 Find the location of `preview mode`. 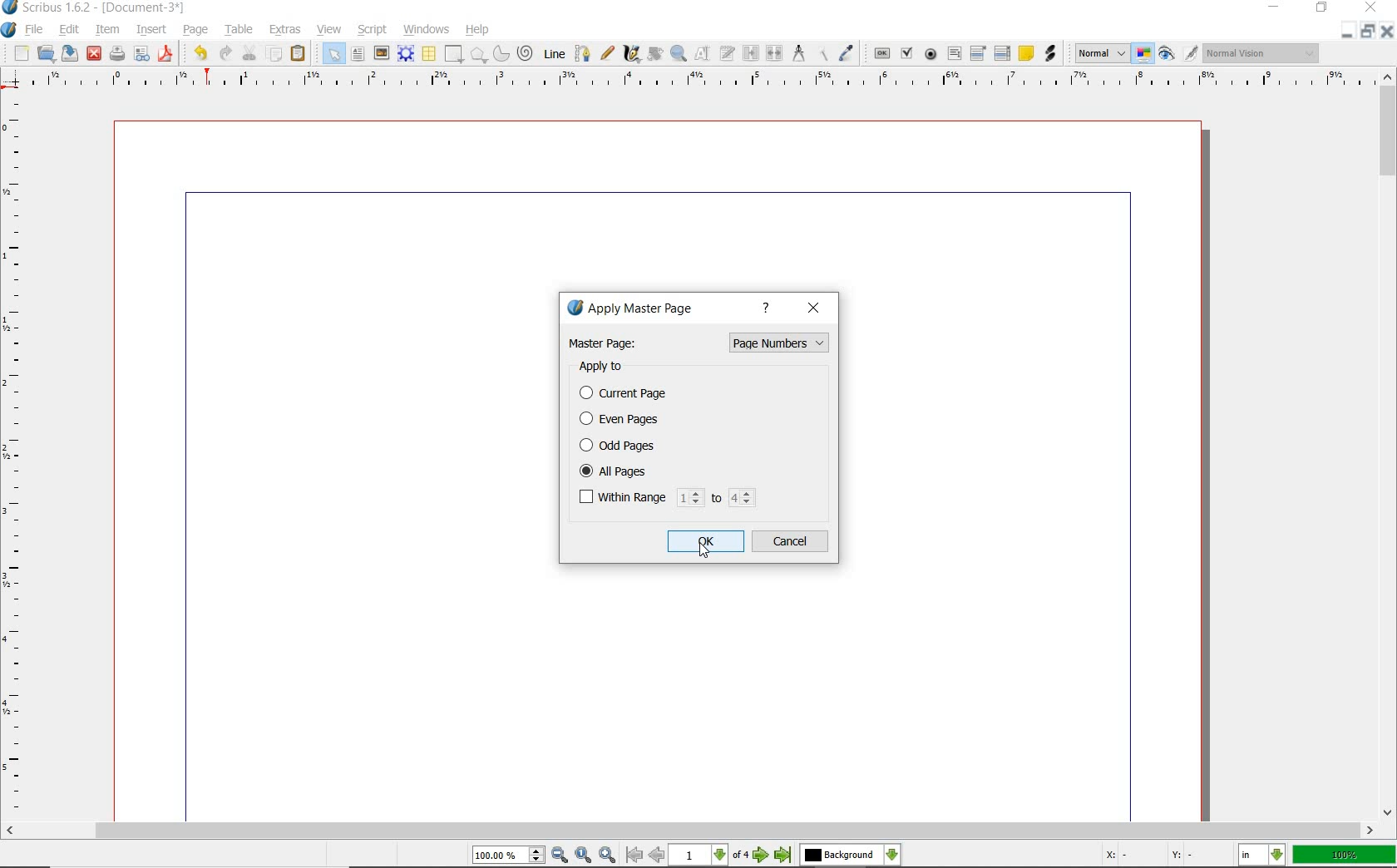

preview mode is located at coordinates (1168, 53).